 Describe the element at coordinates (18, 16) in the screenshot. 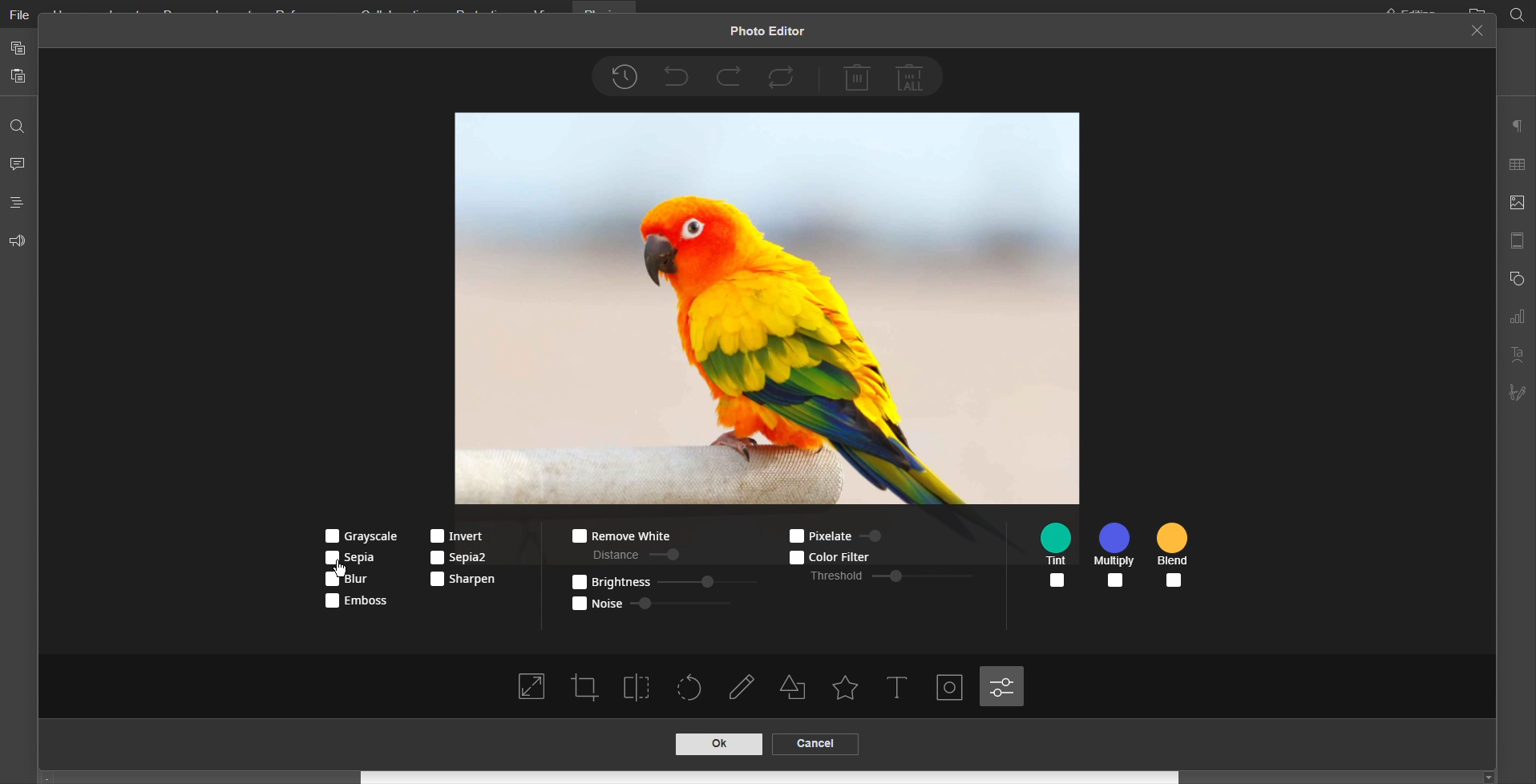

I see `File` at that location.